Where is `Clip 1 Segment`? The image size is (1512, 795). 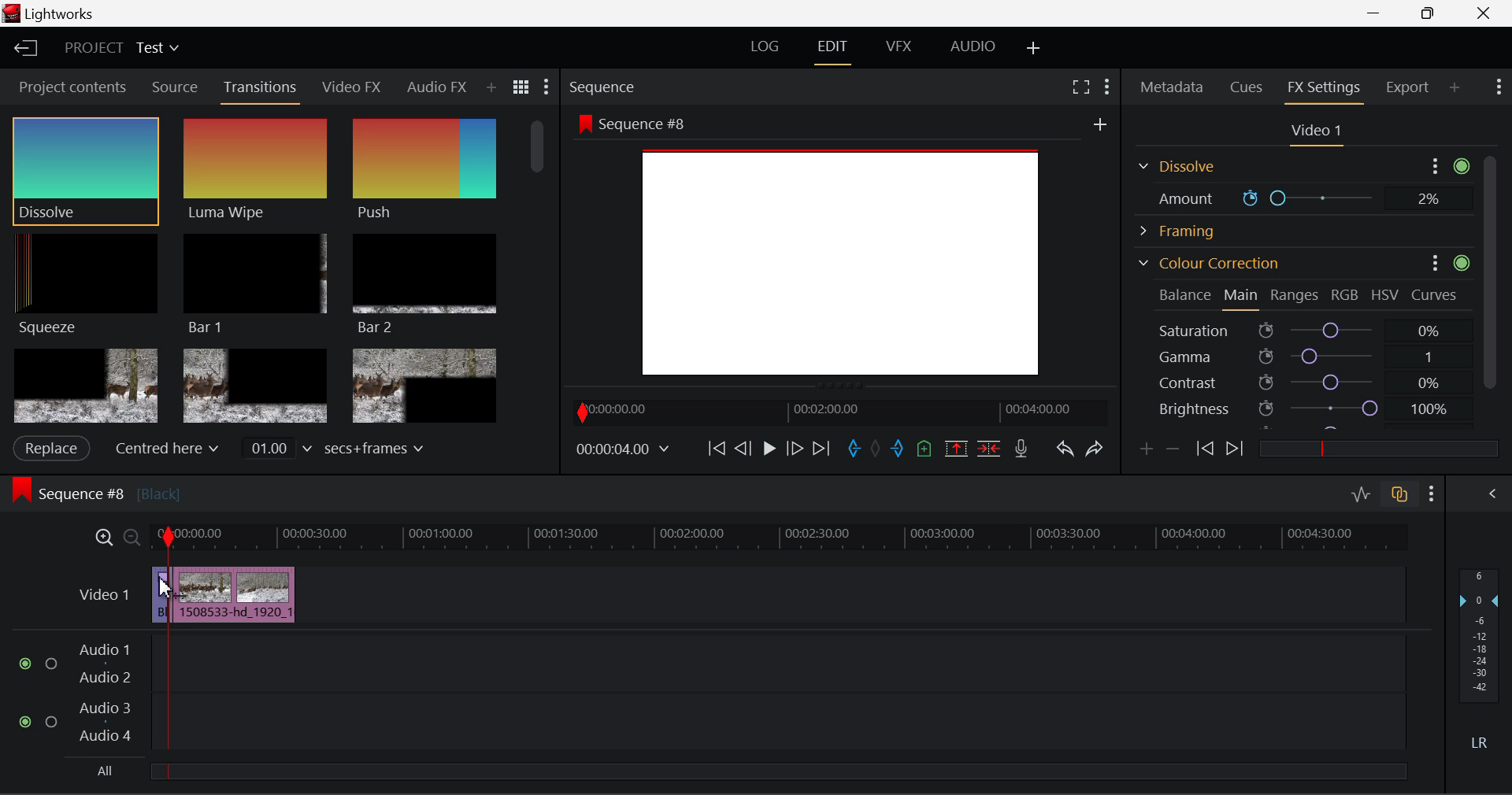
Clip 1 Segment is located at coordinates (160, 596).